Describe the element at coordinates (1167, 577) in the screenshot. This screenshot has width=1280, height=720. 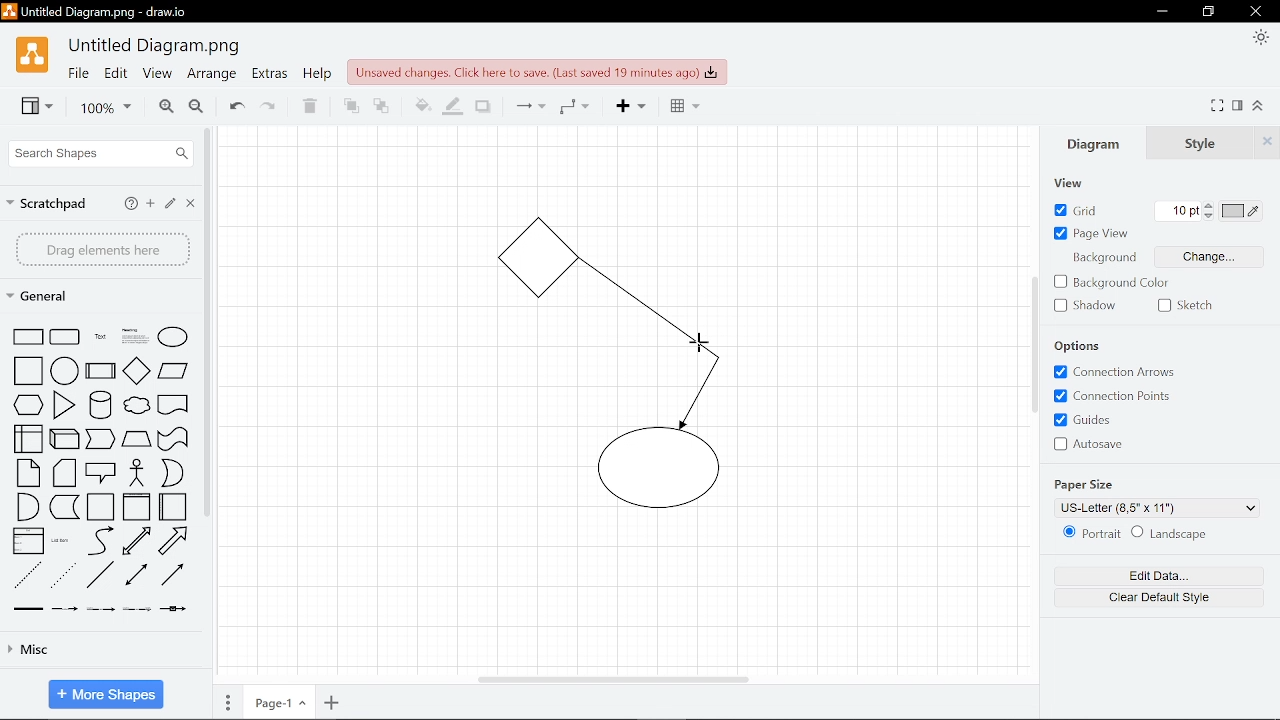
I see `Edit data` at that location.